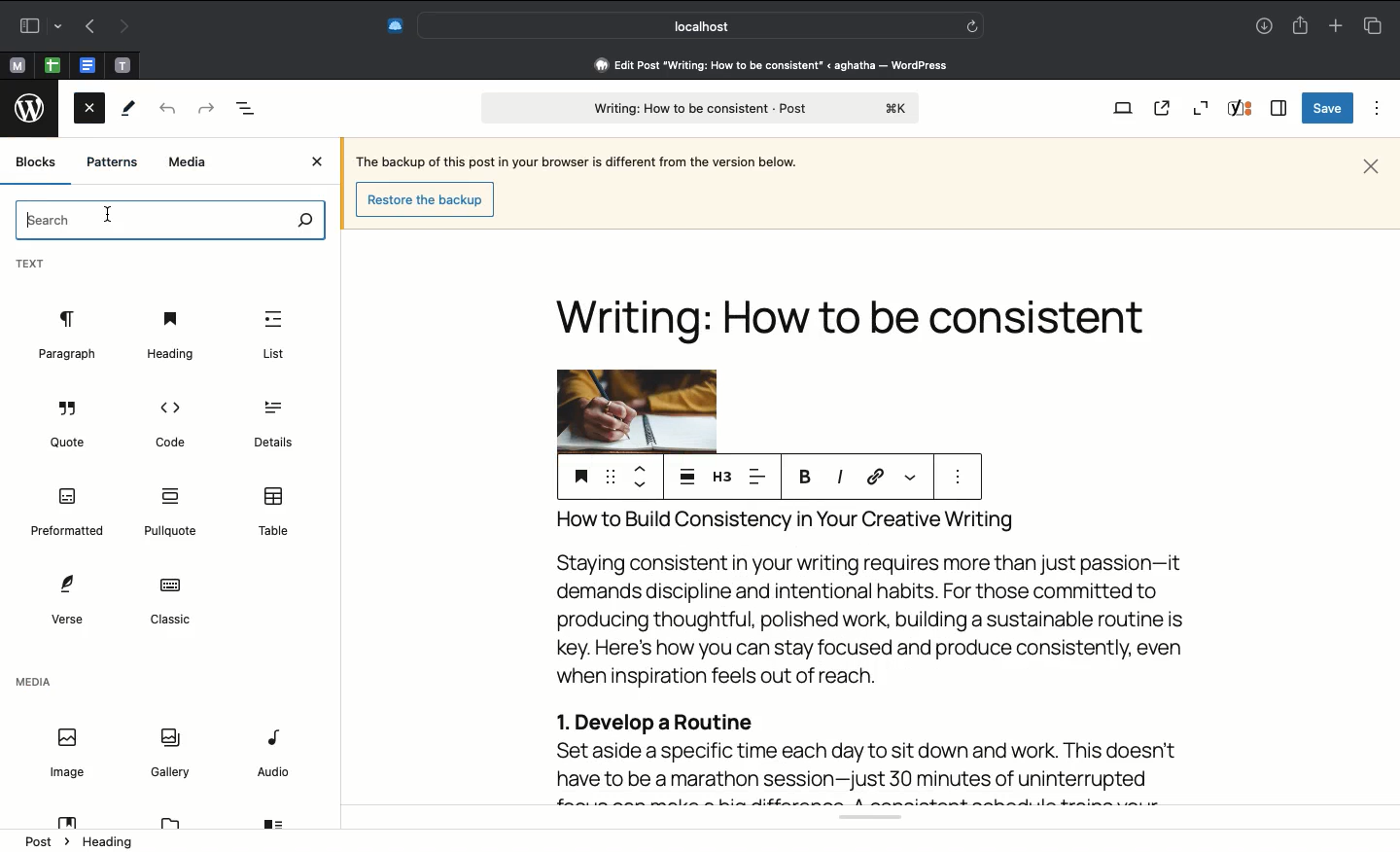 Image resolution: width=1400 pixels, height=852 pixels. I want to click on Media, so click(189, 163).